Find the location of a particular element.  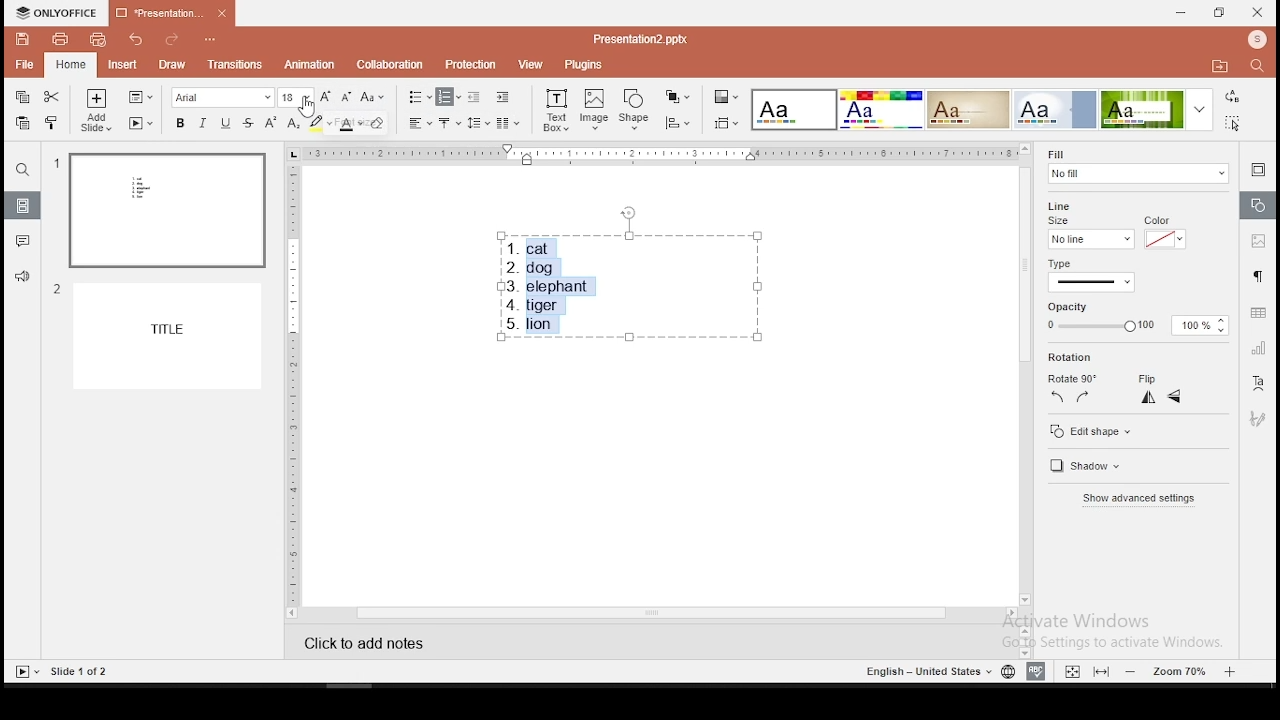

find is located at coordinates (24, 172).